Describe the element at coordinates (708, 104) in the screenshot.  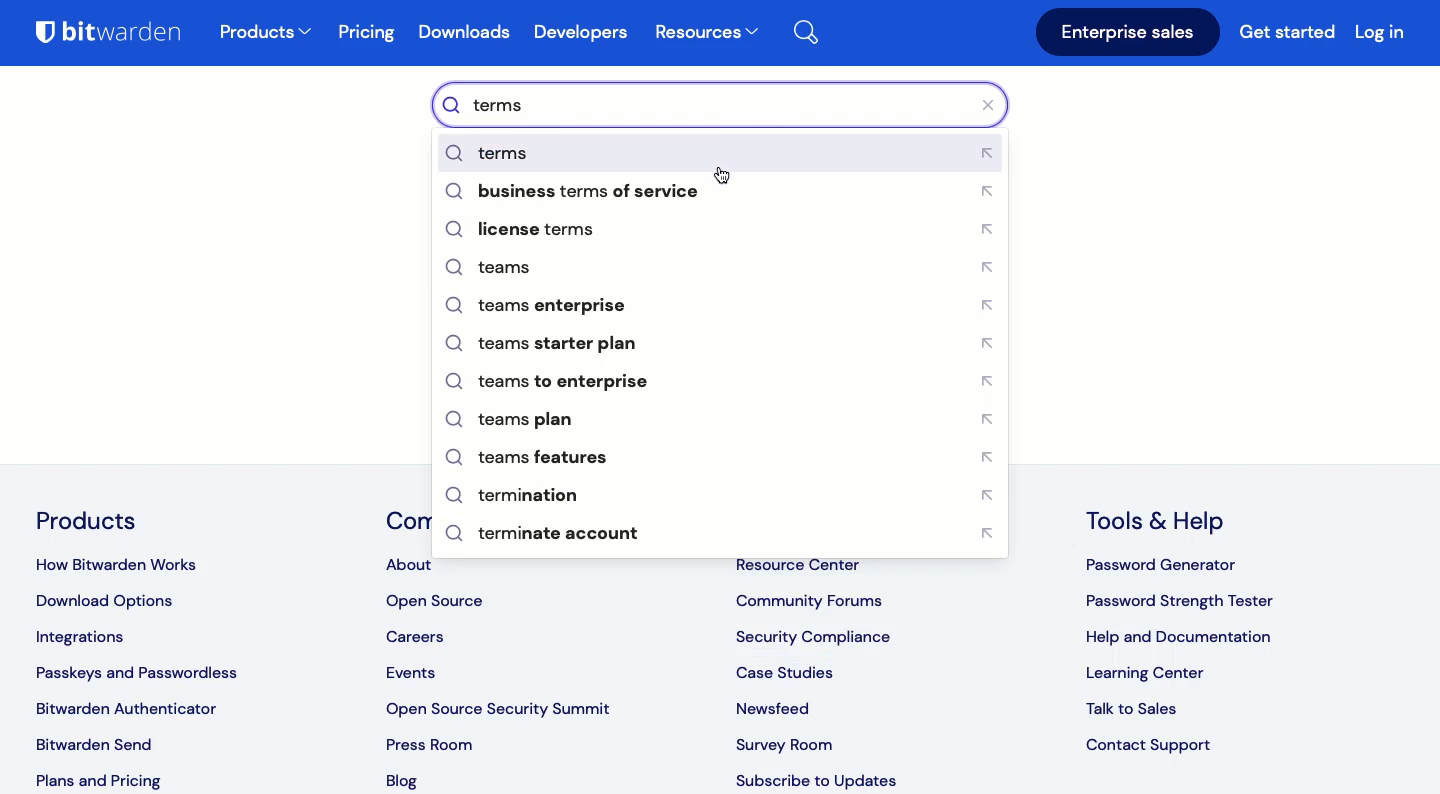
I see `Search bar` at that location.